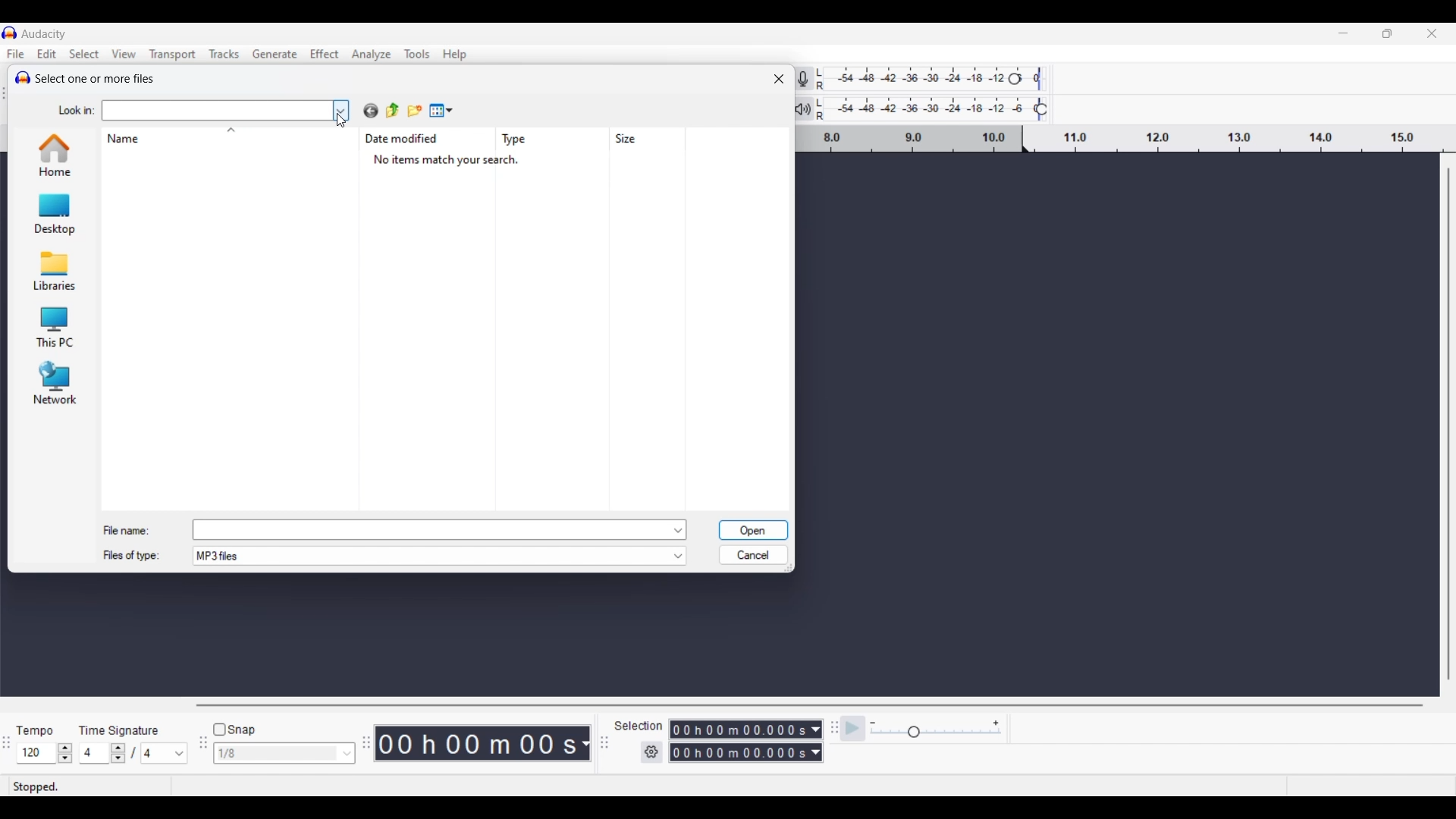 Image resolution: width=1456 pixels, height=819 pixels. What do you see at coordinates (455, 161) in the screenshot?
I see `No items match your search.` at bounding box center [455, 161].